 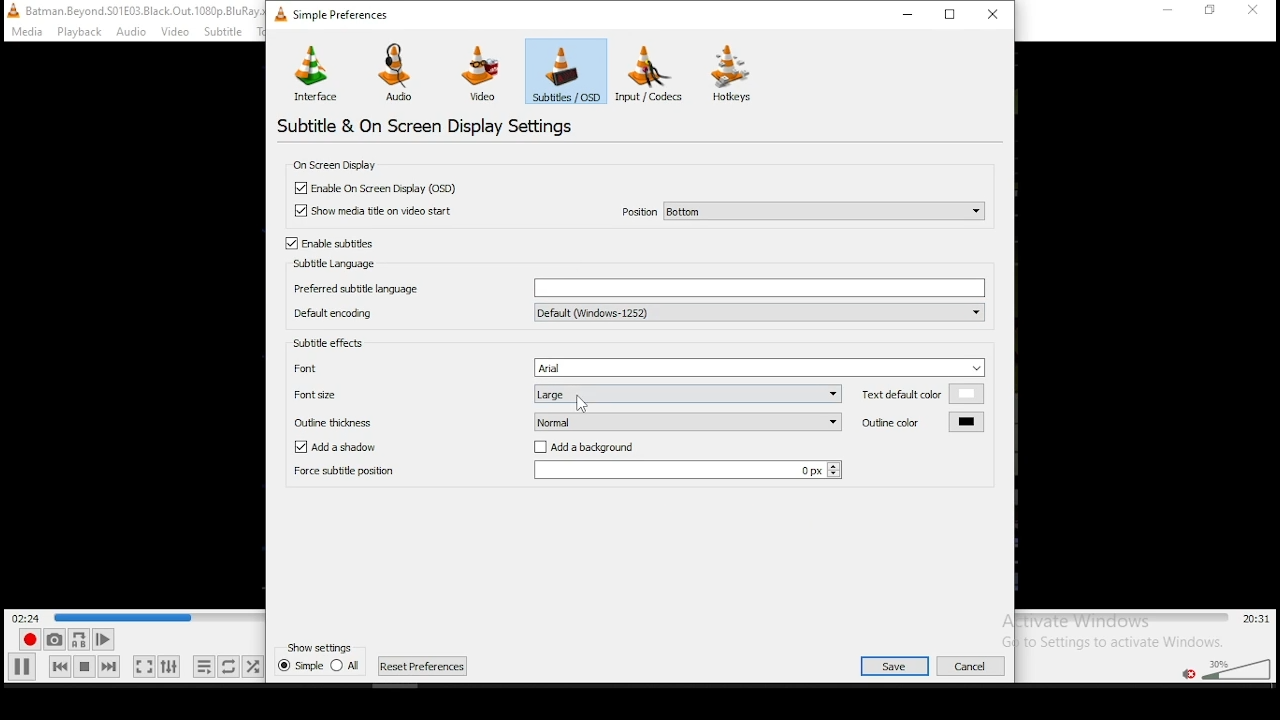 I want to click on font size  Large, so click(x=565, y=393).